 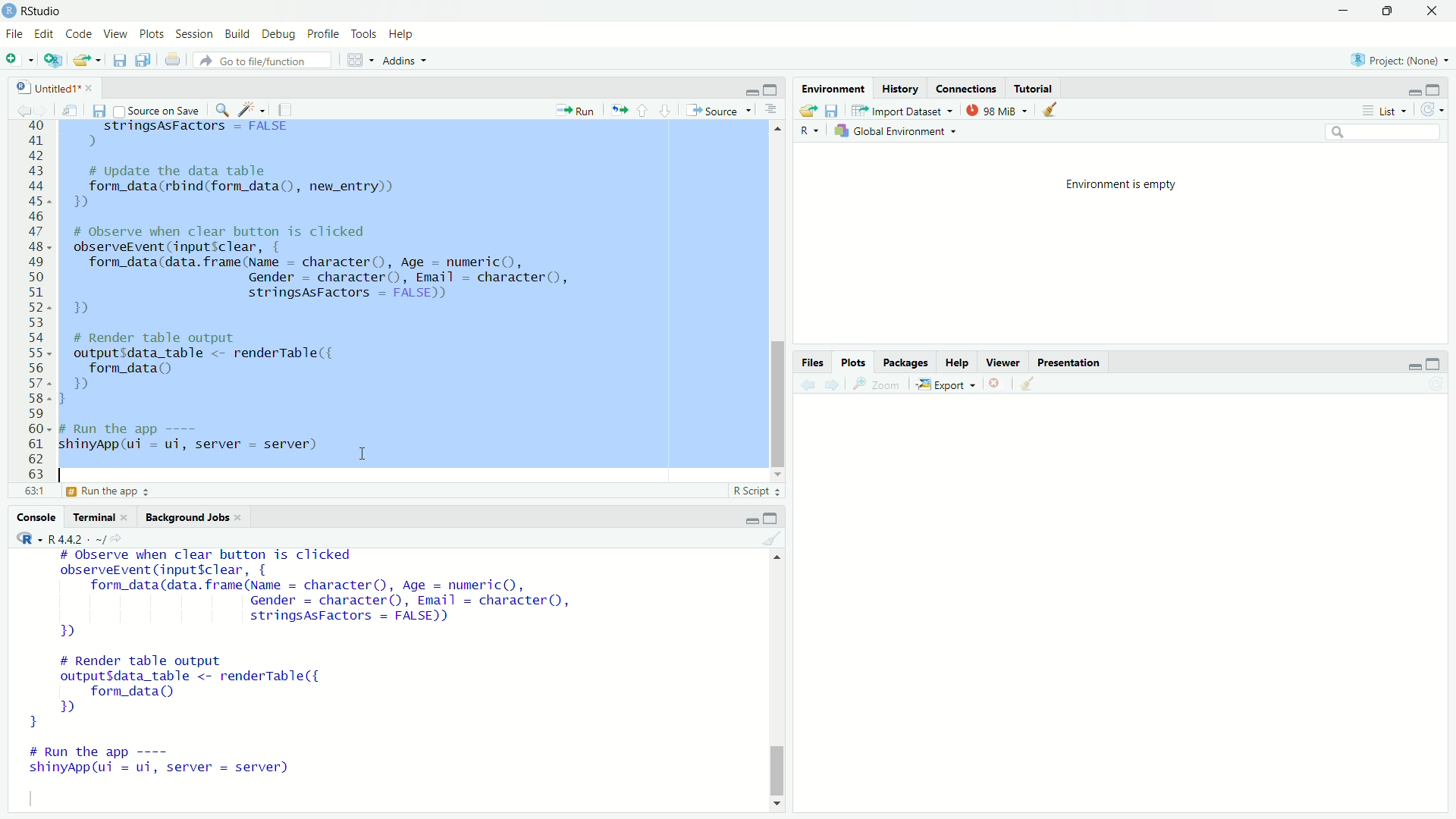 I want to click on environment, so click(x=832, y=87).